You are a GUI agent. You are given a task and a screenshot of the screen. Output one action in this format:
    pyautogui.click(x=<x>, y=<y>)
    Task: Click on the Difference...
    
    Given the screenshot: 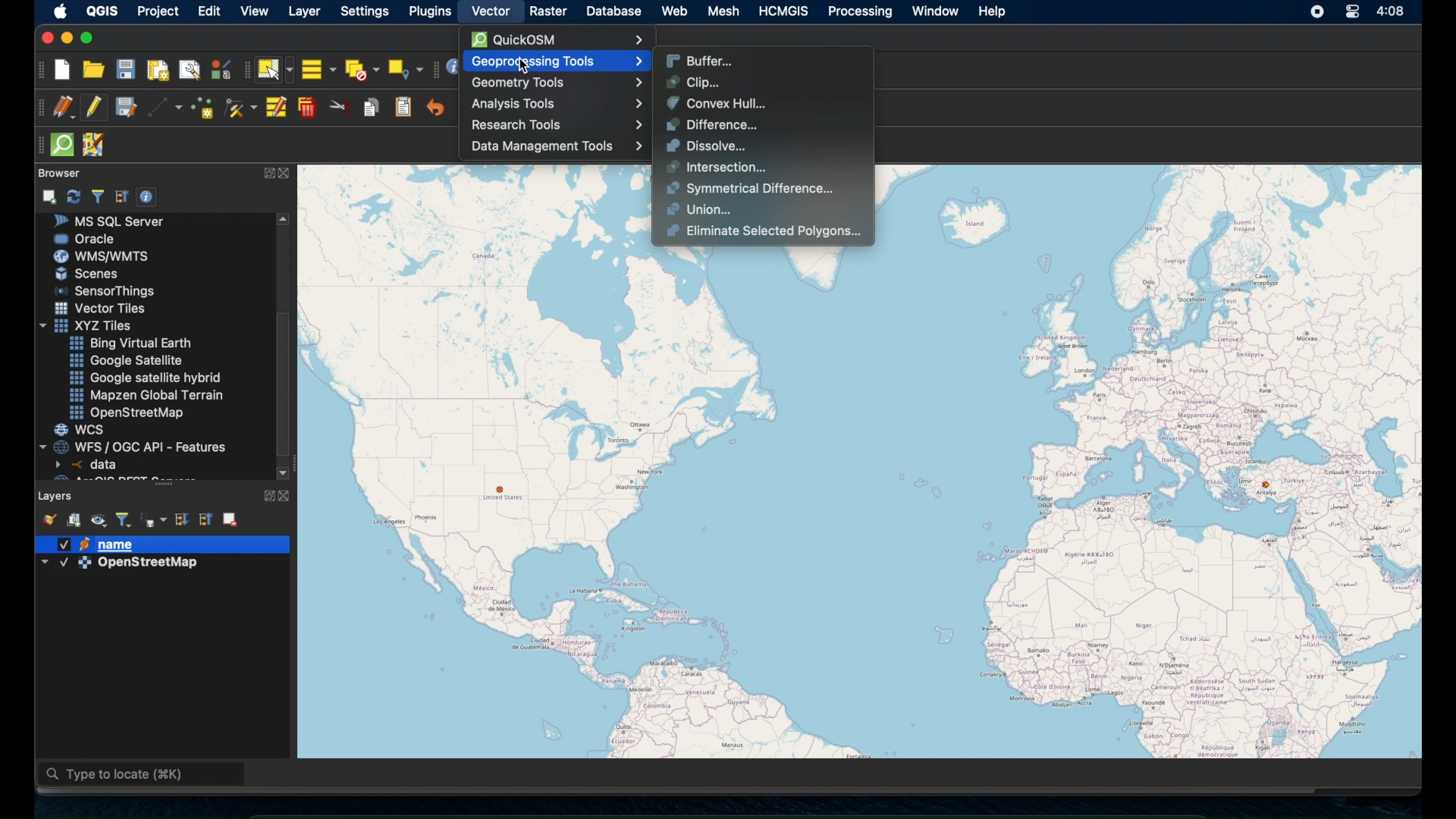 What is the action you would take?
    pyautogui.click(x=709, y=124)
    